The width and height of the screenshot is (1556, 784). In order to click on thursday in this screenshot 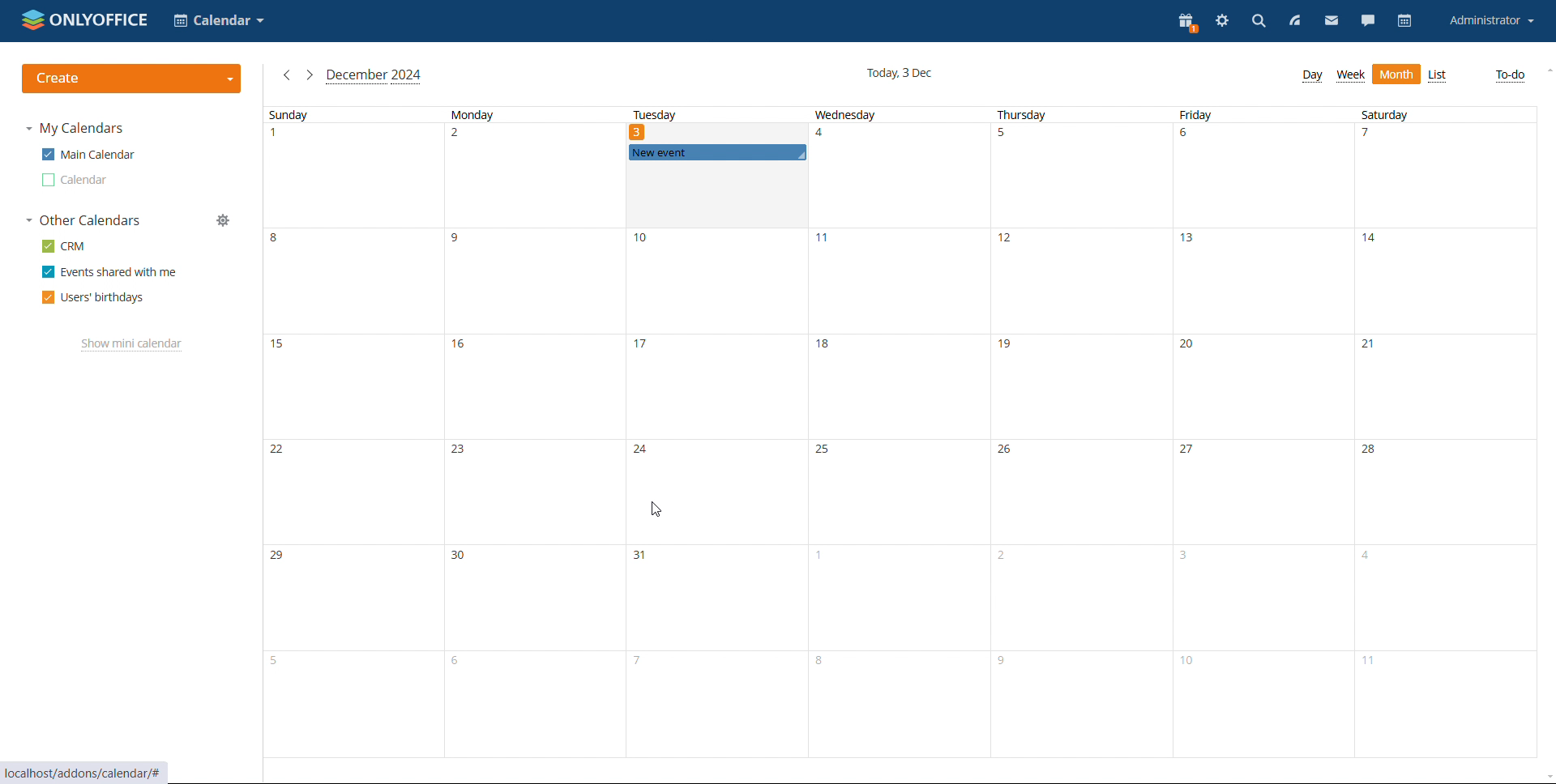, I will do `click(1037, 115)`.